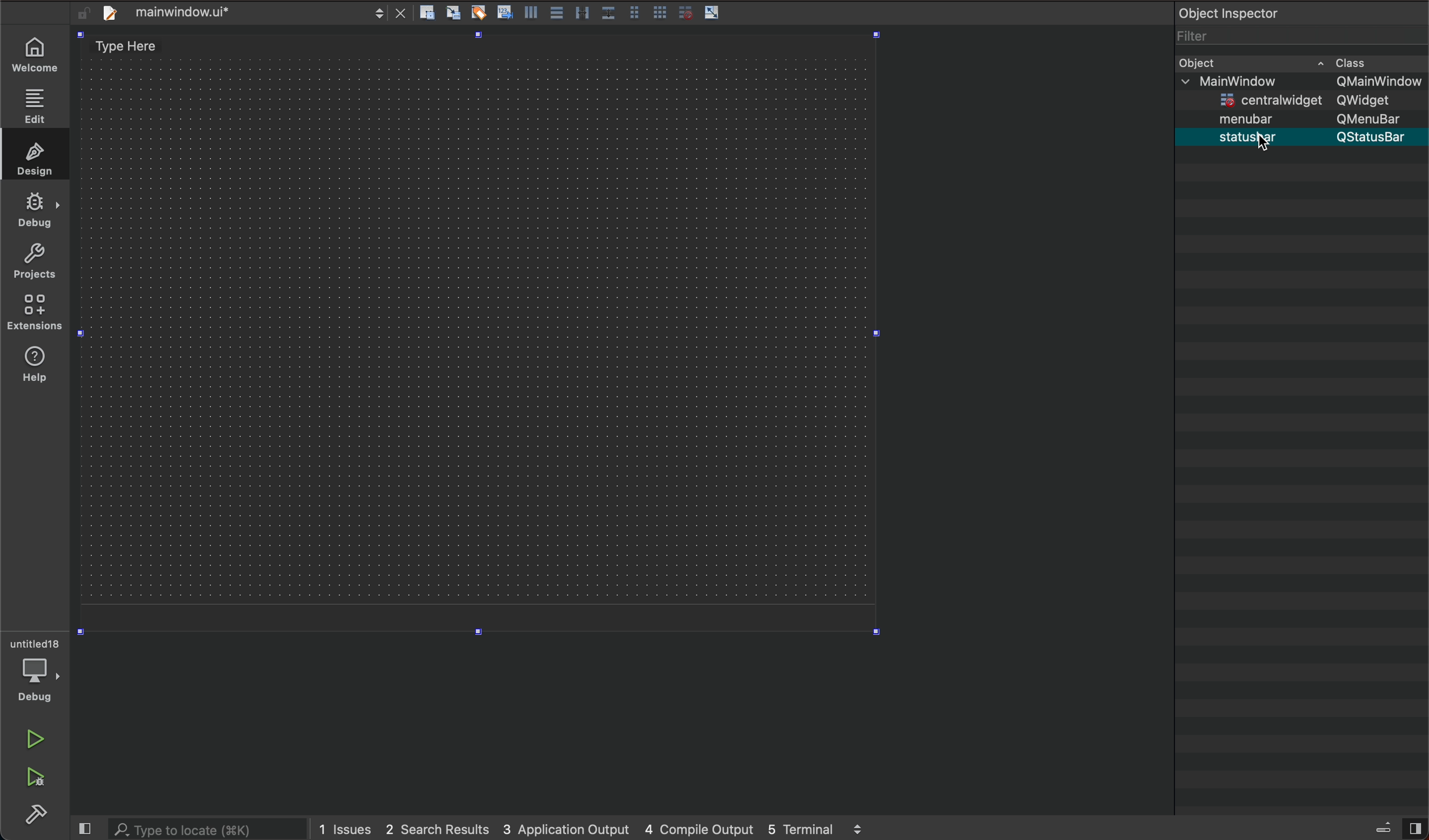 Image resolution: width=1429 pixels, height=840 pixels. Describe the element at coordinates (36, 682) in the screenshot. I see `debug` at that location.